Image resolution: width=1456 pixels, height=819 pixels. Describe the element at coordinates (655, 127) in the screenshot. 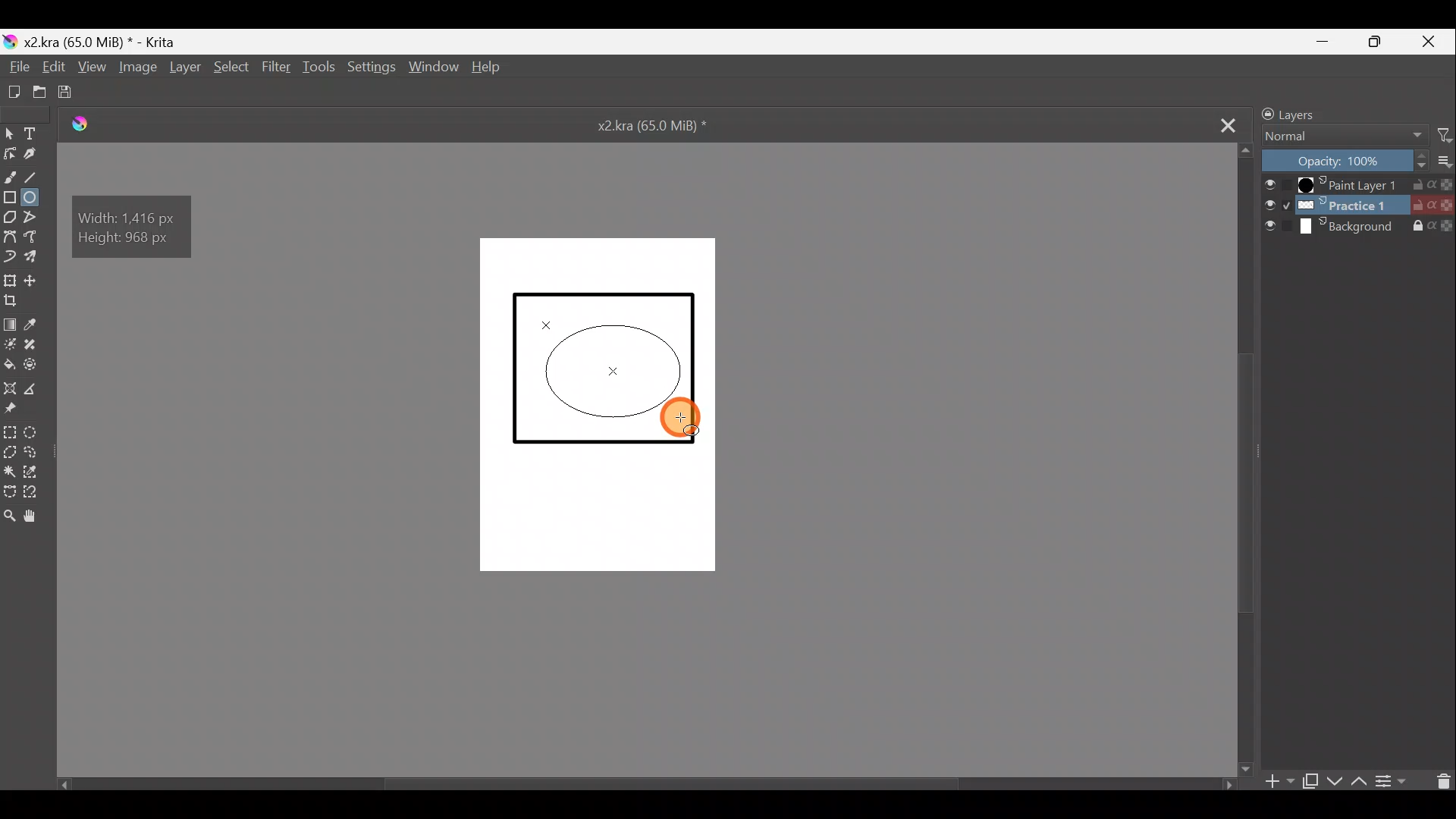

I see `x2.kra (65.0 MiB) *` at that location.